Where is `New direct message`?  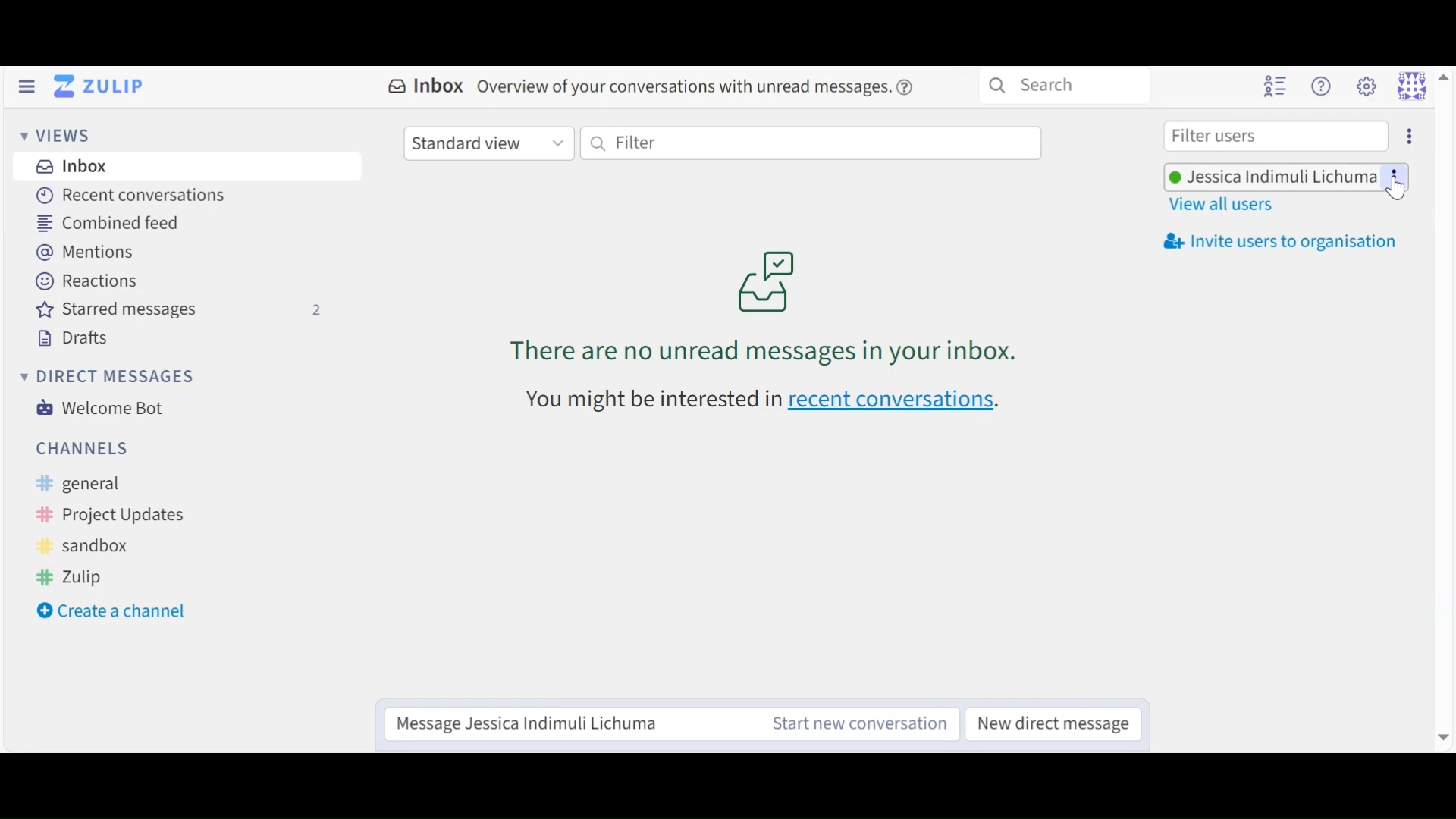 New direct message is located at coordinates (1049, 722).